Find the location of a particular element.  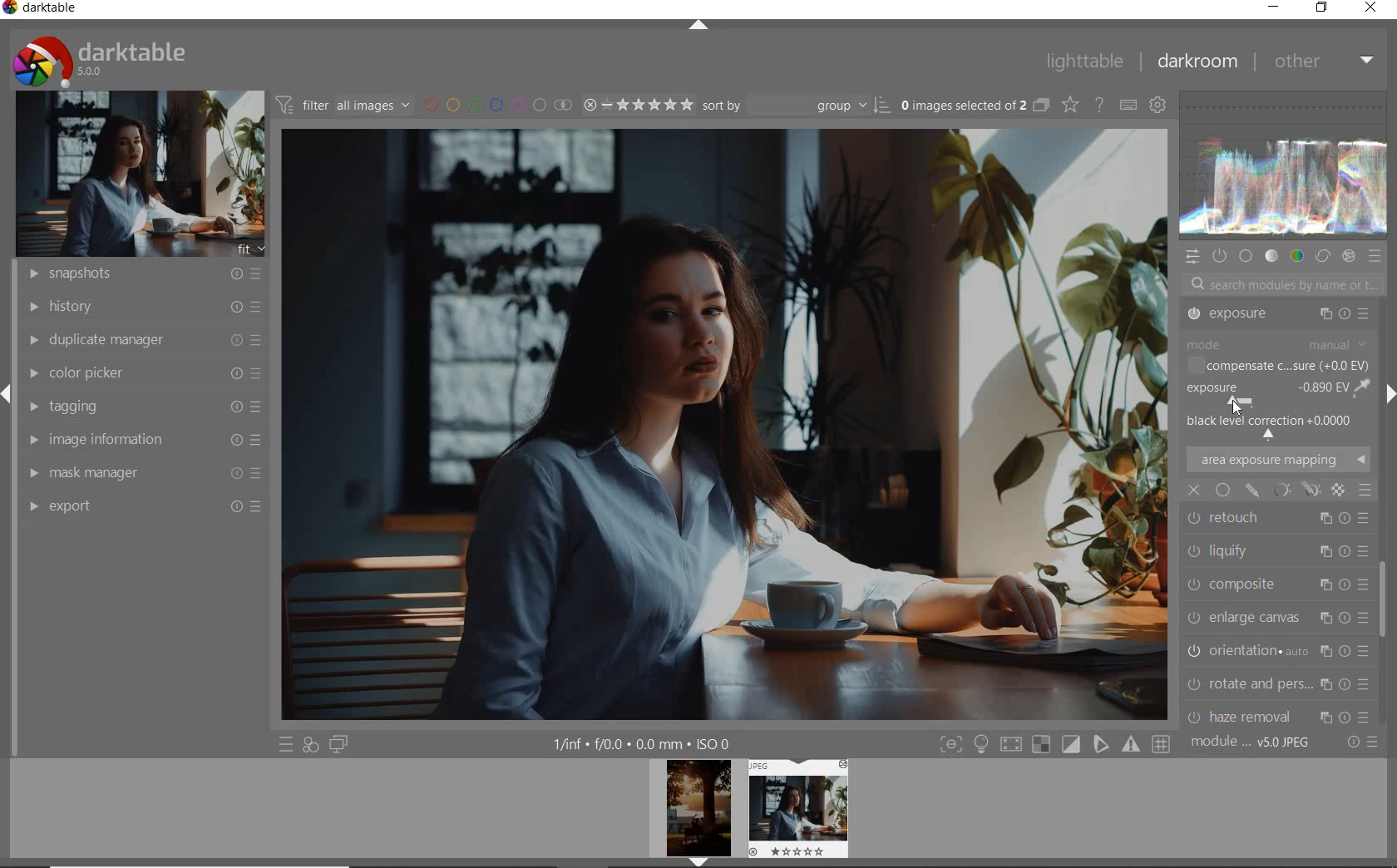

SCALE PIXELS is located at coordinates (1286, 712).